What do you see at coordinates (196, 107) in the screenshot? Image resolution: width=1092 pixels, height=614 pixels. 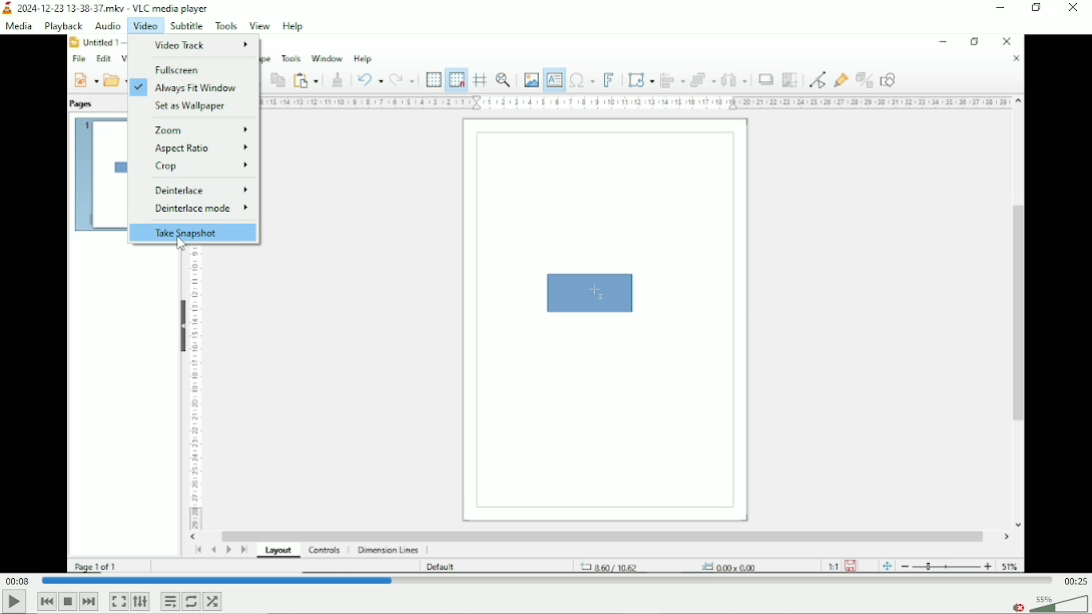 I see `Set as wallpaper` at bounding box center [196, 107].